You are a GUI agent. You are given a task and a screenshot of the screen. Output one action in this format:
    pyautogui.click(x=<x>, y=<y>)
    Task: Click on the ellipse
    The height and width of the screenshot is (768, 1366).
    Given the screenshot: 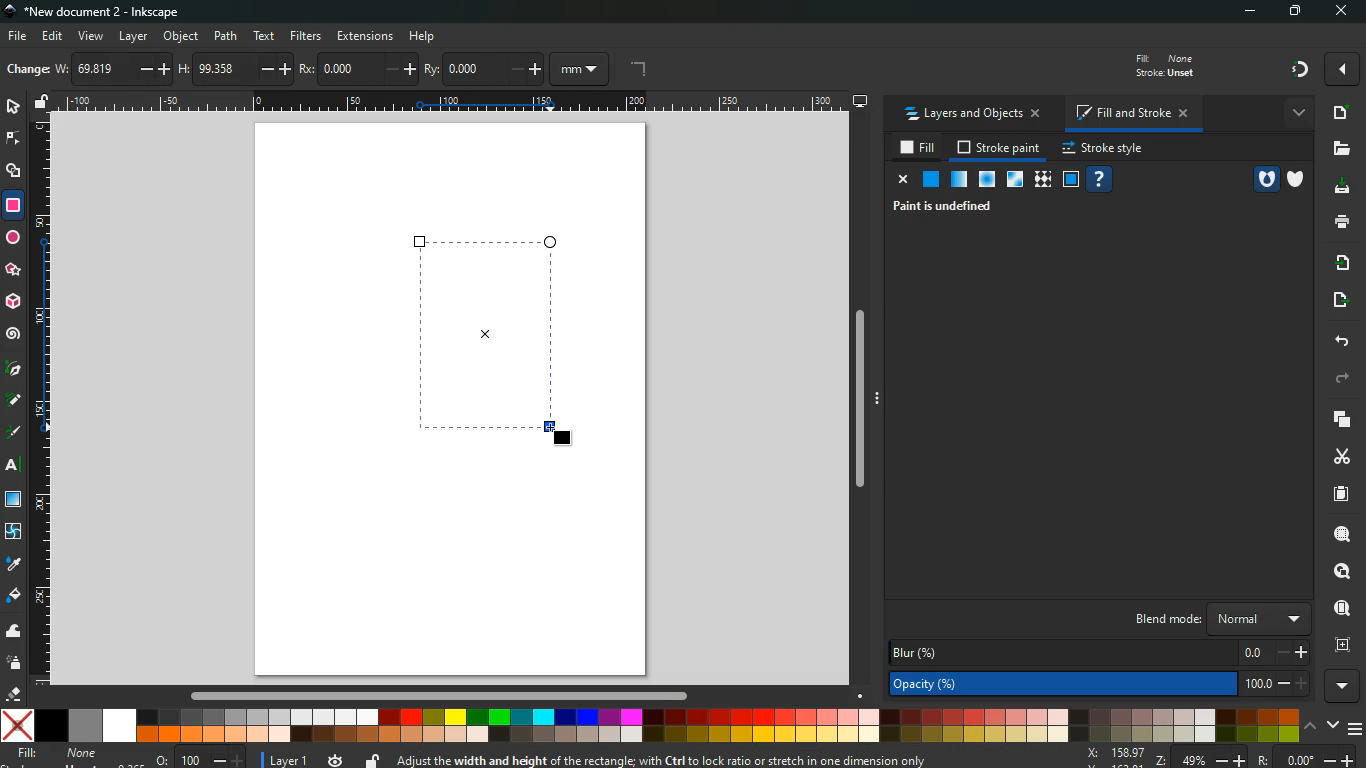 What is the action you would take?
    pyautogui.click(x=11, y=236)
    